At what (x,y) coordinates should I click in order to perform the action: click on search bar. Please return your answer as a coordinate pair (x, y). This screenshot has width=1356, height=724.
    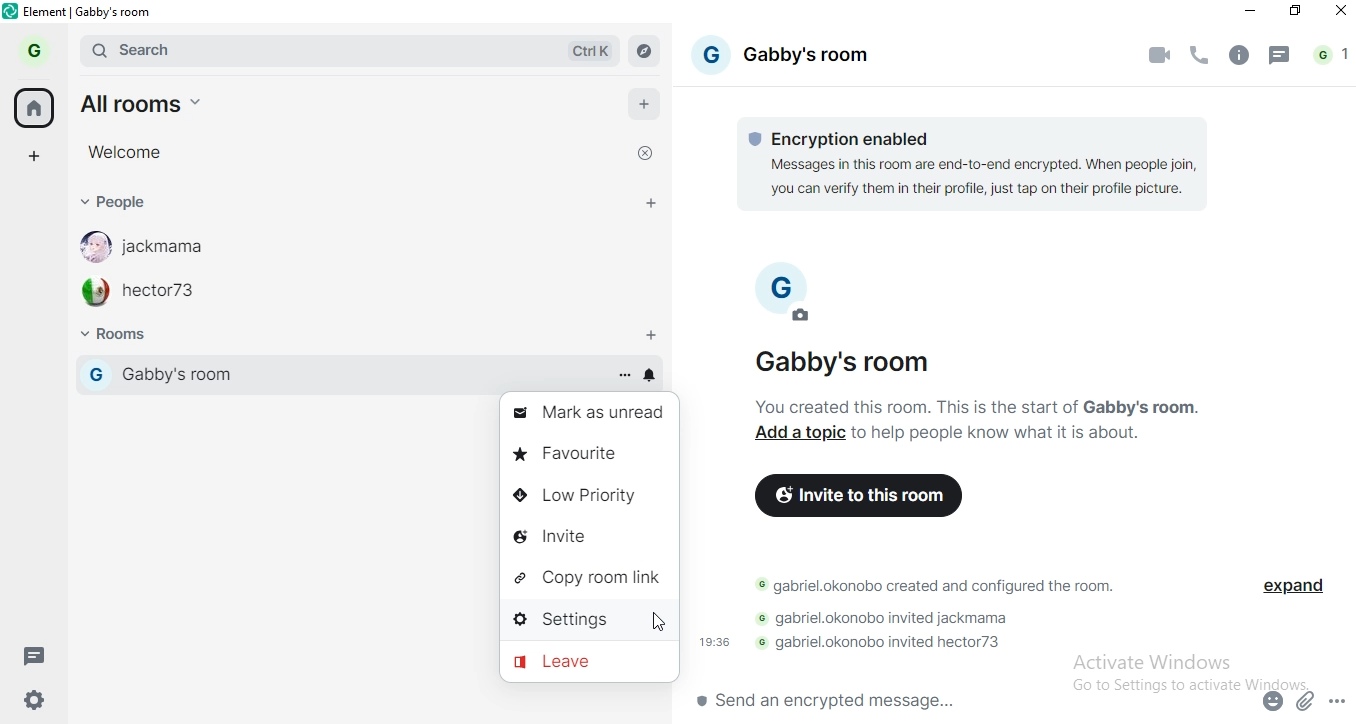
    Looking at the image, I should click on (268, 47).